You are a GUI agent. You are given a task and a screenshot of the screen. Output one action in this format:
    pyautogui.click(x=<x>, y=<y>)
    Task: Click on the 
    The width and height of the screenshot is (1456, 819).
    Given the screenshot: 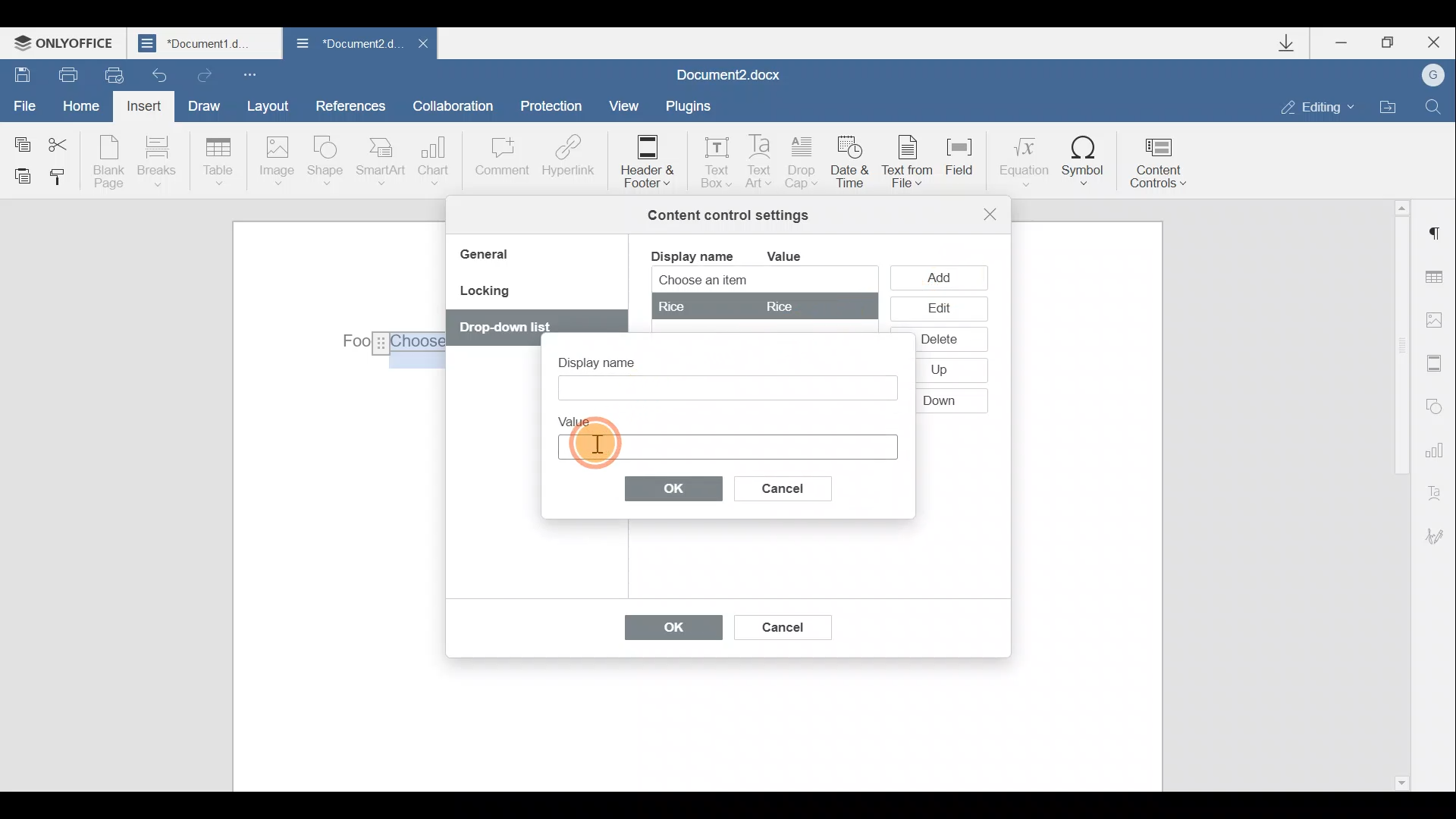 What is the action you would take?
    pyautogui.click(x=937, y=368)
    